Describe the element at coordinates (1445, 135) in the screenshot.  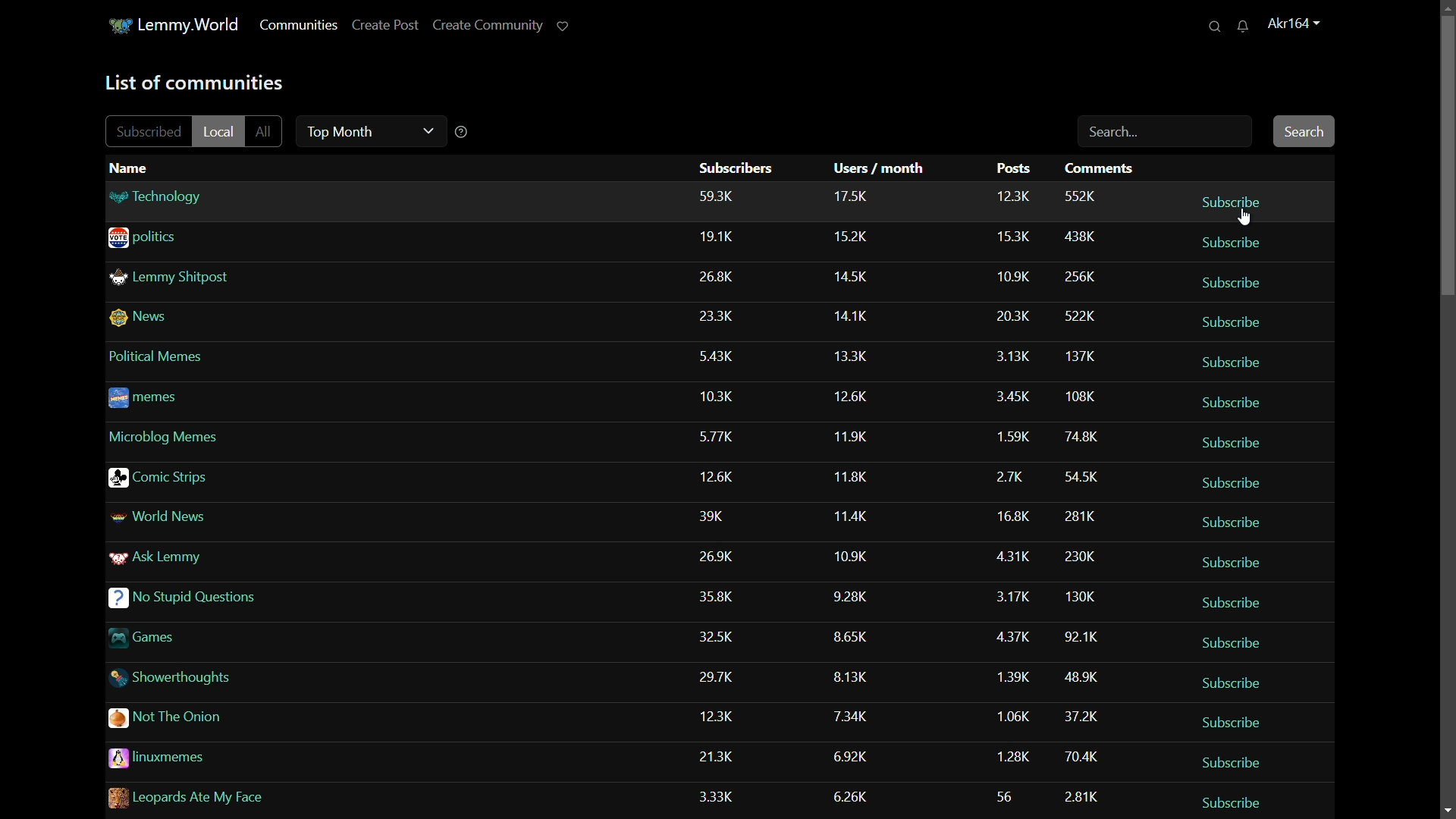
I see `vertical scroll bar` at that location.